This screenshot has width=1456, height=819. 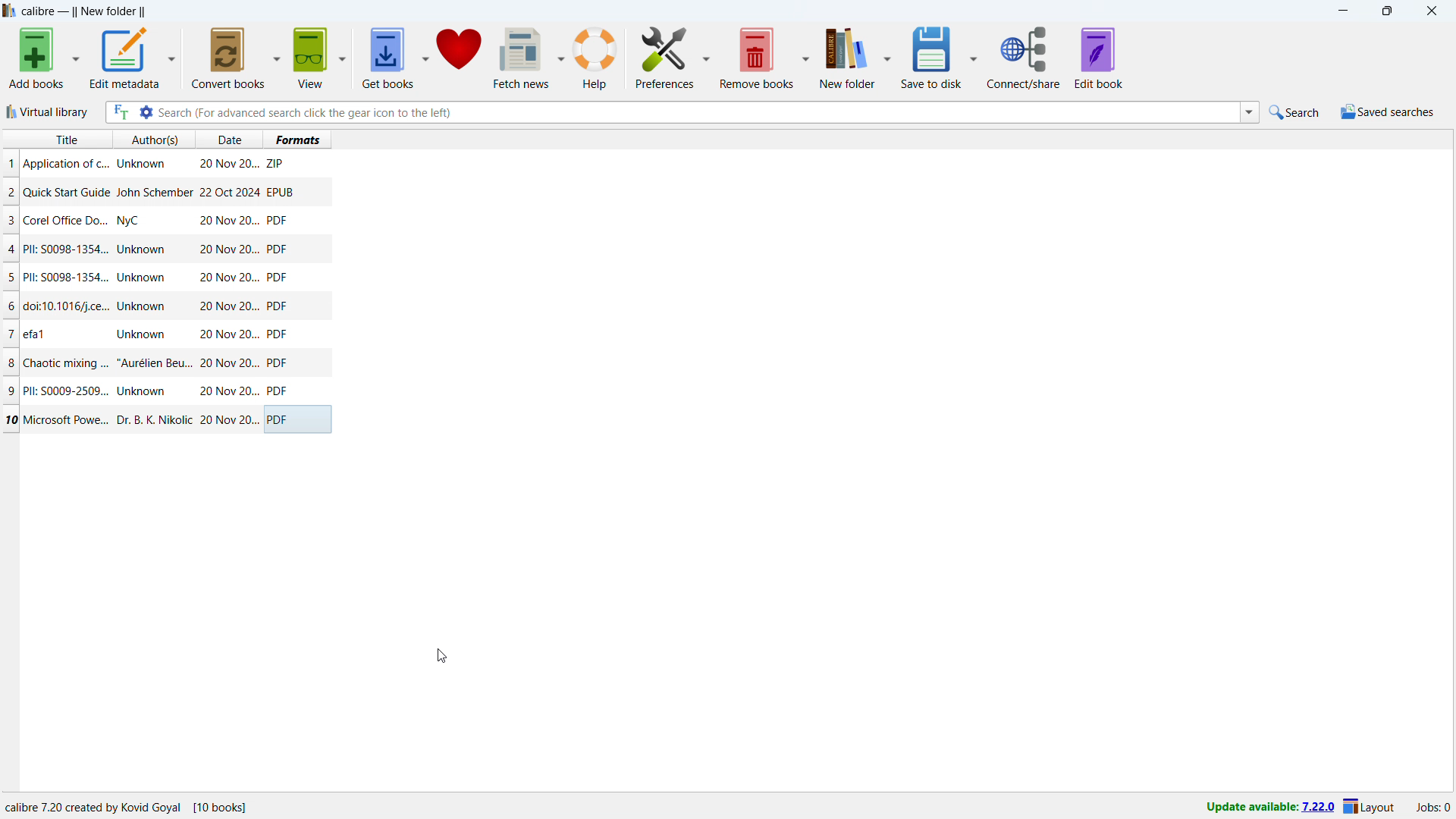 What do you see at coordinates (141, 249) in the screenshot?
I see `Unknown` at bounding box center [141, 249].